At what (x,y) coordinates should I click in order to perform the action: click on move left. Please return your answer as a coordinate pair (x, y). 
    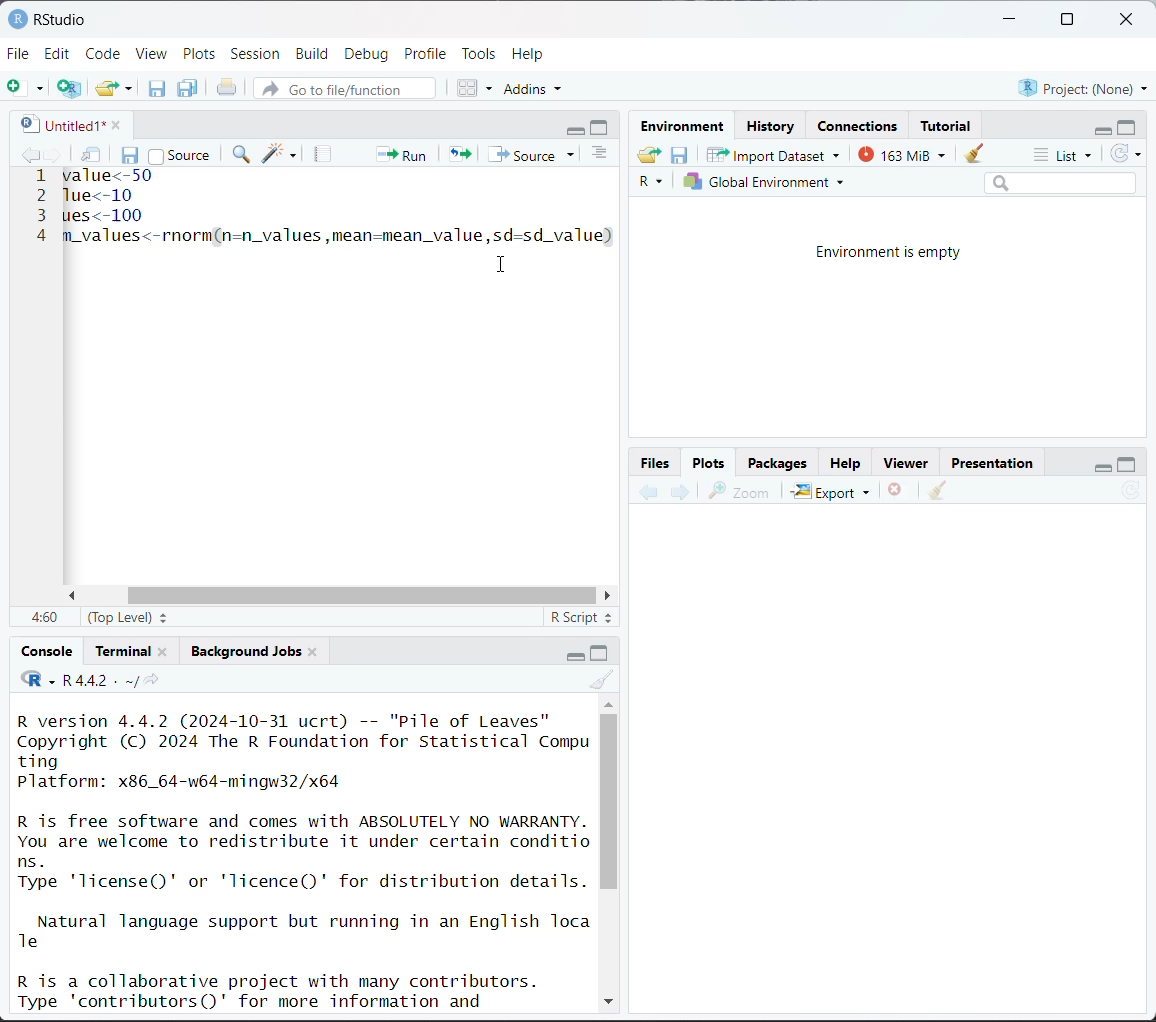
    Looking at the image, I should click on (76, 596).